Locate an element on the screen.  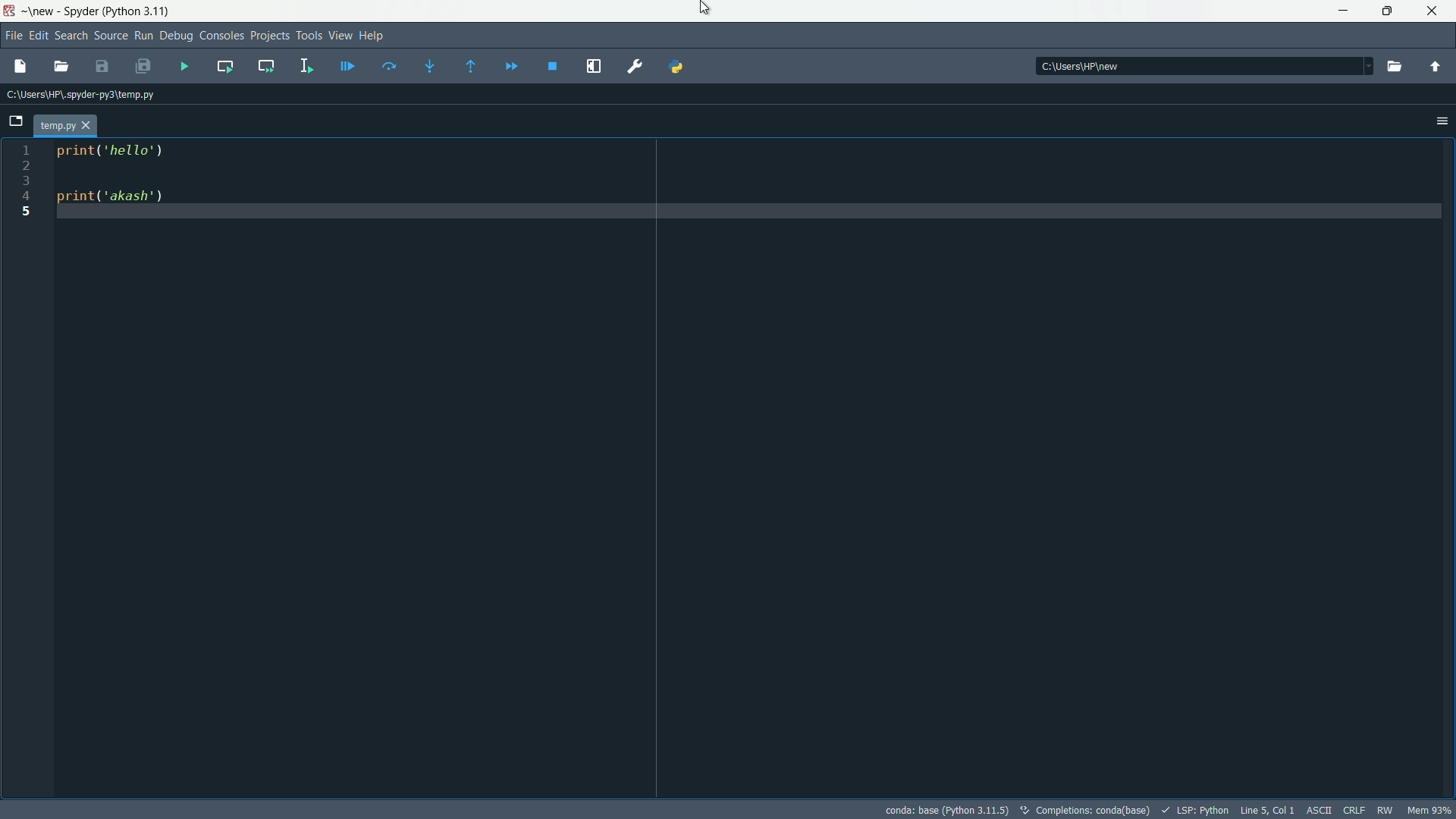
file eol status is located at coordinates (1353, 811).